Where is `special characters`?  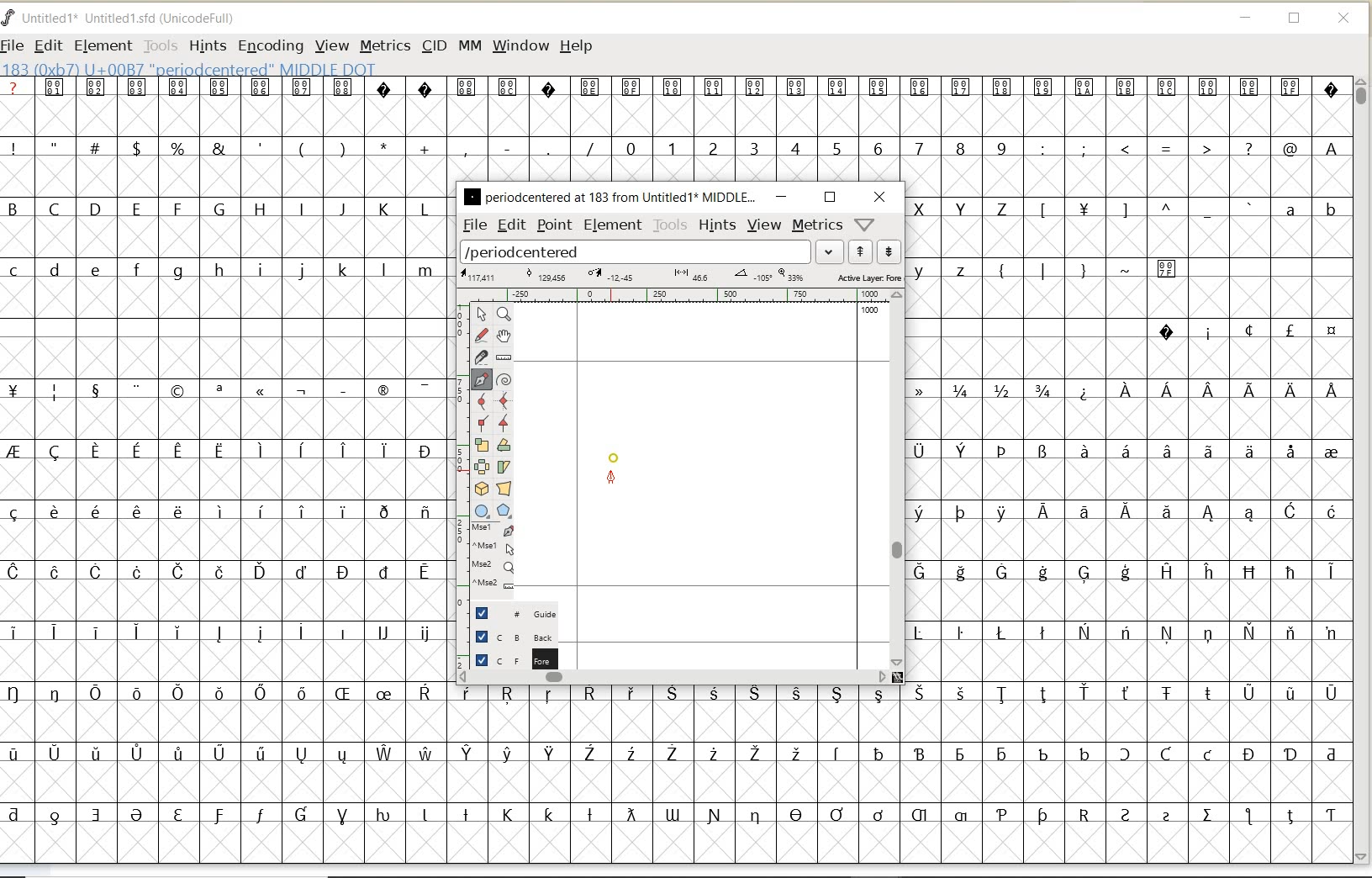 special characters is located at coordinates (219, 601).